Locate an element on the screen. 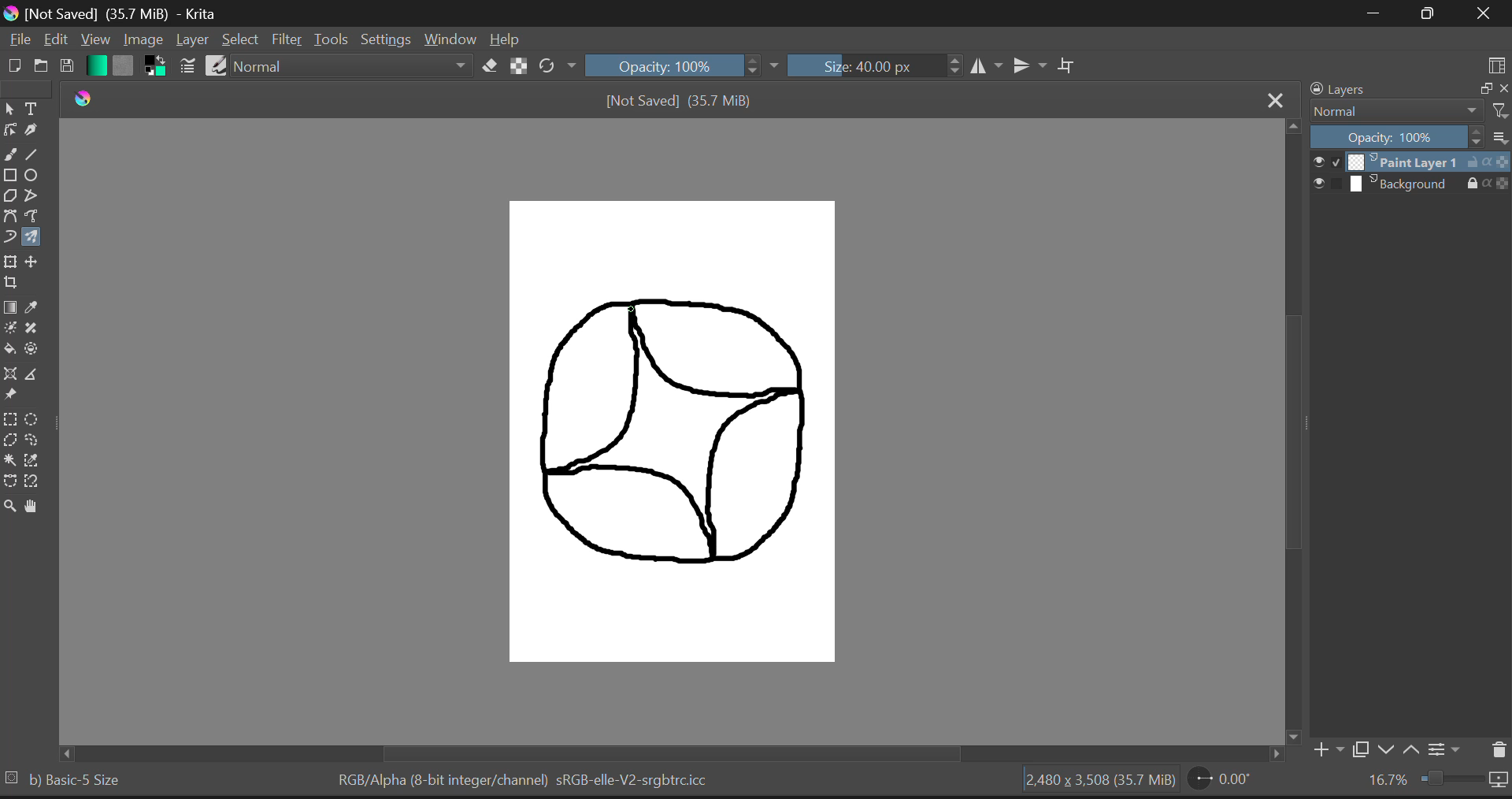 The width and height of the screenshot is (1512, 799). Opacity 100% is located at coordinates (1397, 138).